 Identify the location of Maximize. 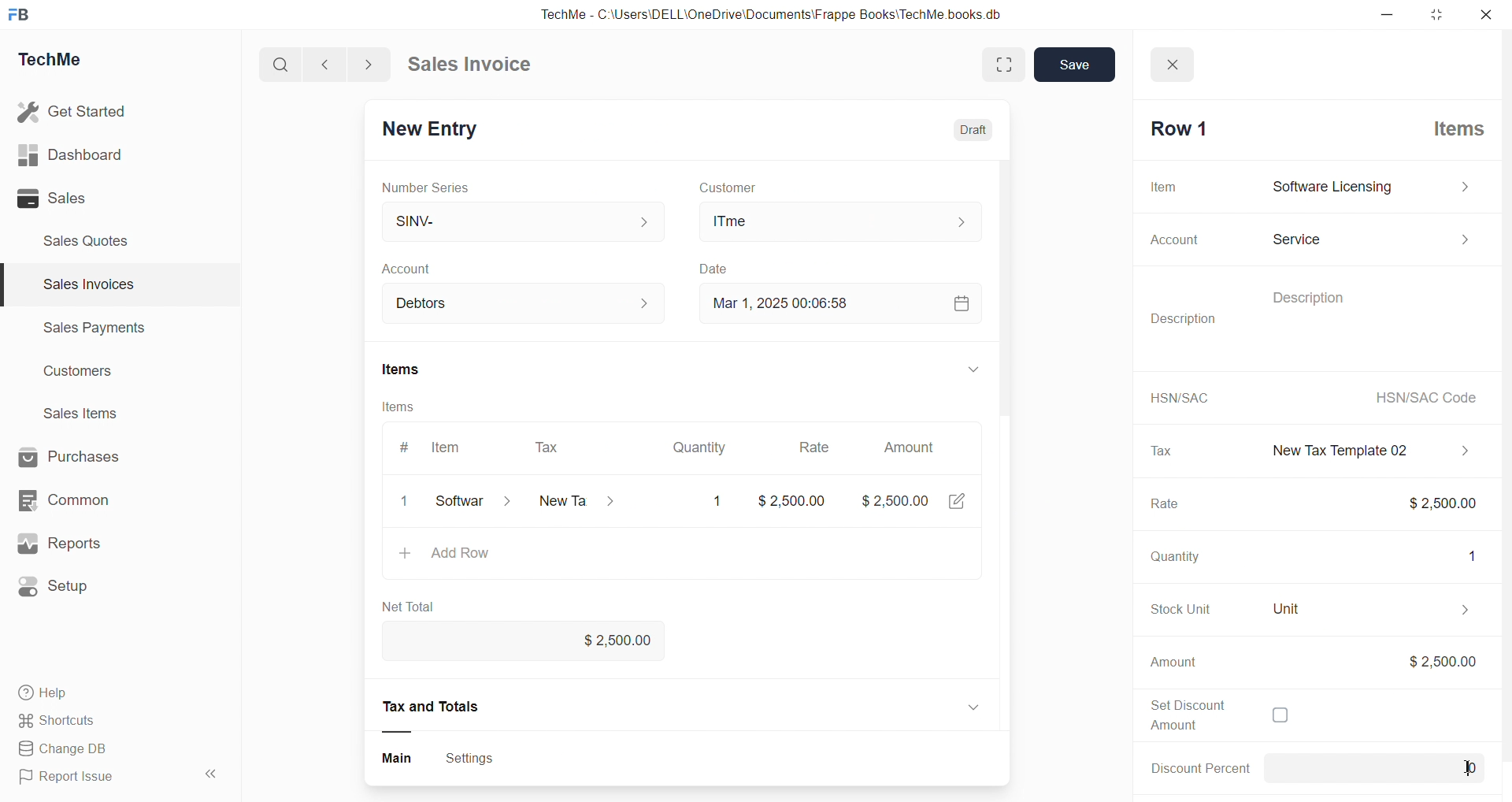
(1439, 18).